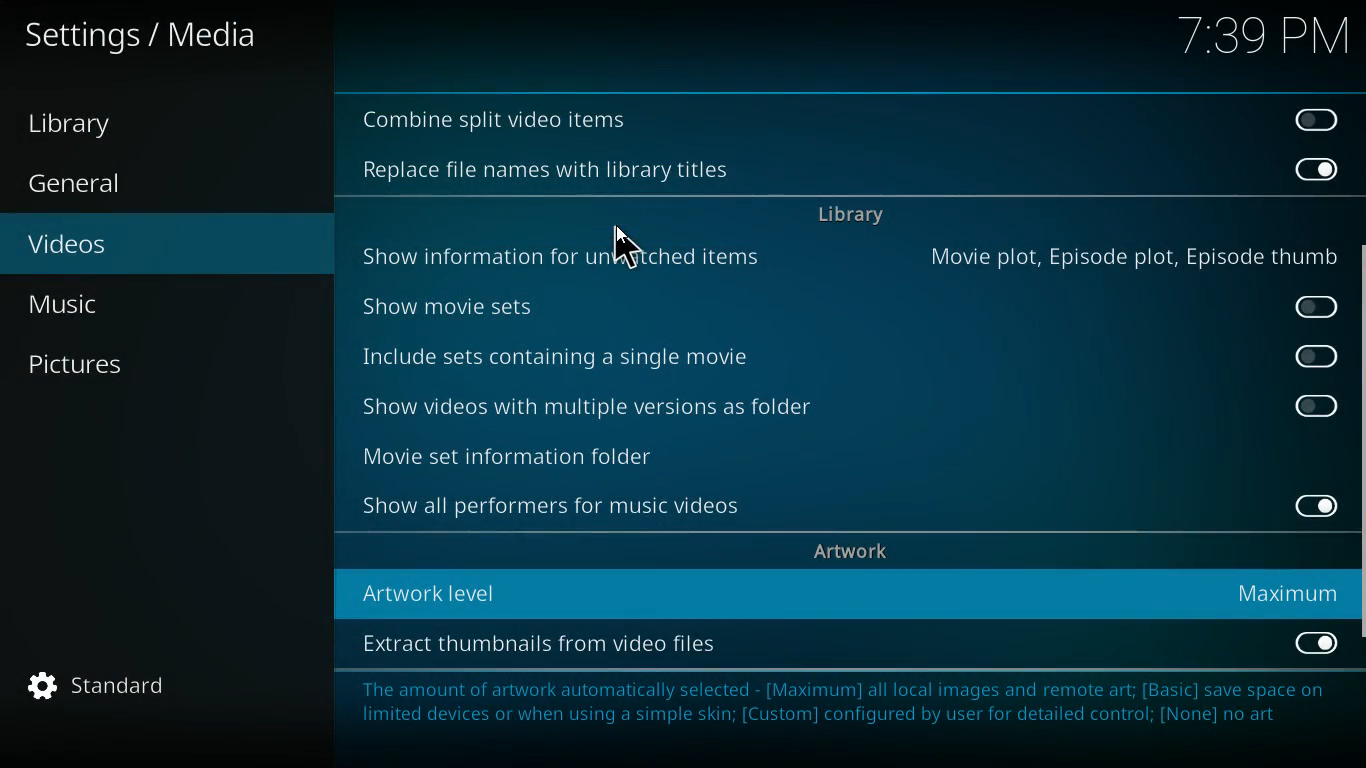 This screenshot has height=768, width=1366. I want to click on videos, so click(150, 246).